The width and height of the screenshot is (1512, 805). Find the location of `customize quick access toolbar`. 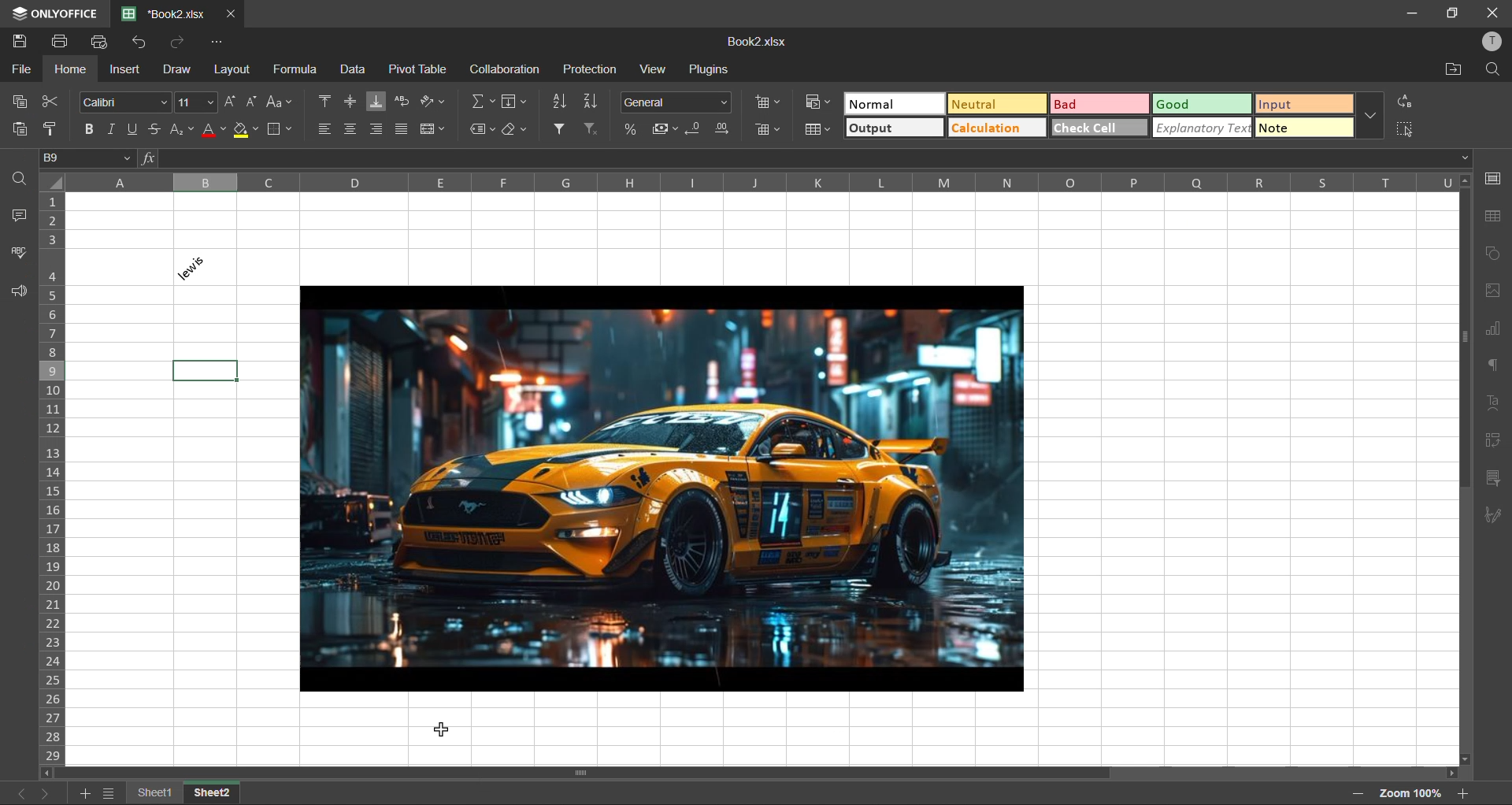

customize quick access toolbar is located at coordinates (216, 42).